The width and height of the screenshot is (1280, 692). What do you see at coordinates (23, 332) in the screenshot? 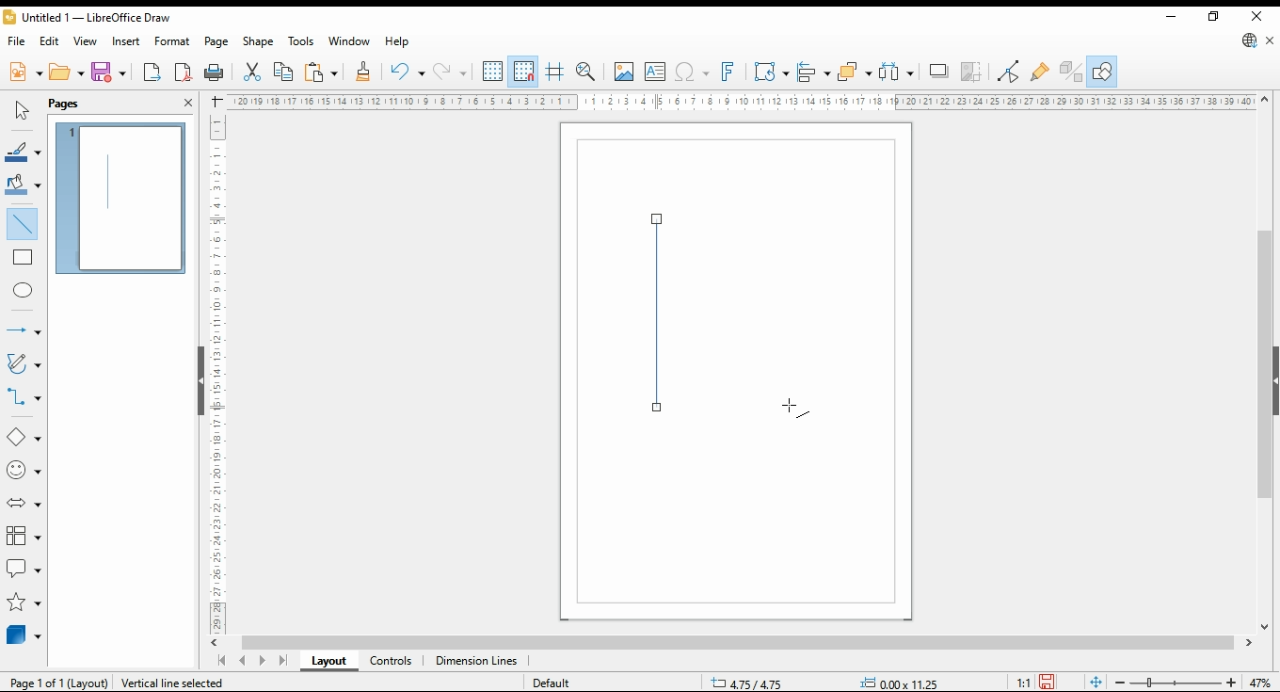
I see `lines and arrows` at bounding box center [23, 332].